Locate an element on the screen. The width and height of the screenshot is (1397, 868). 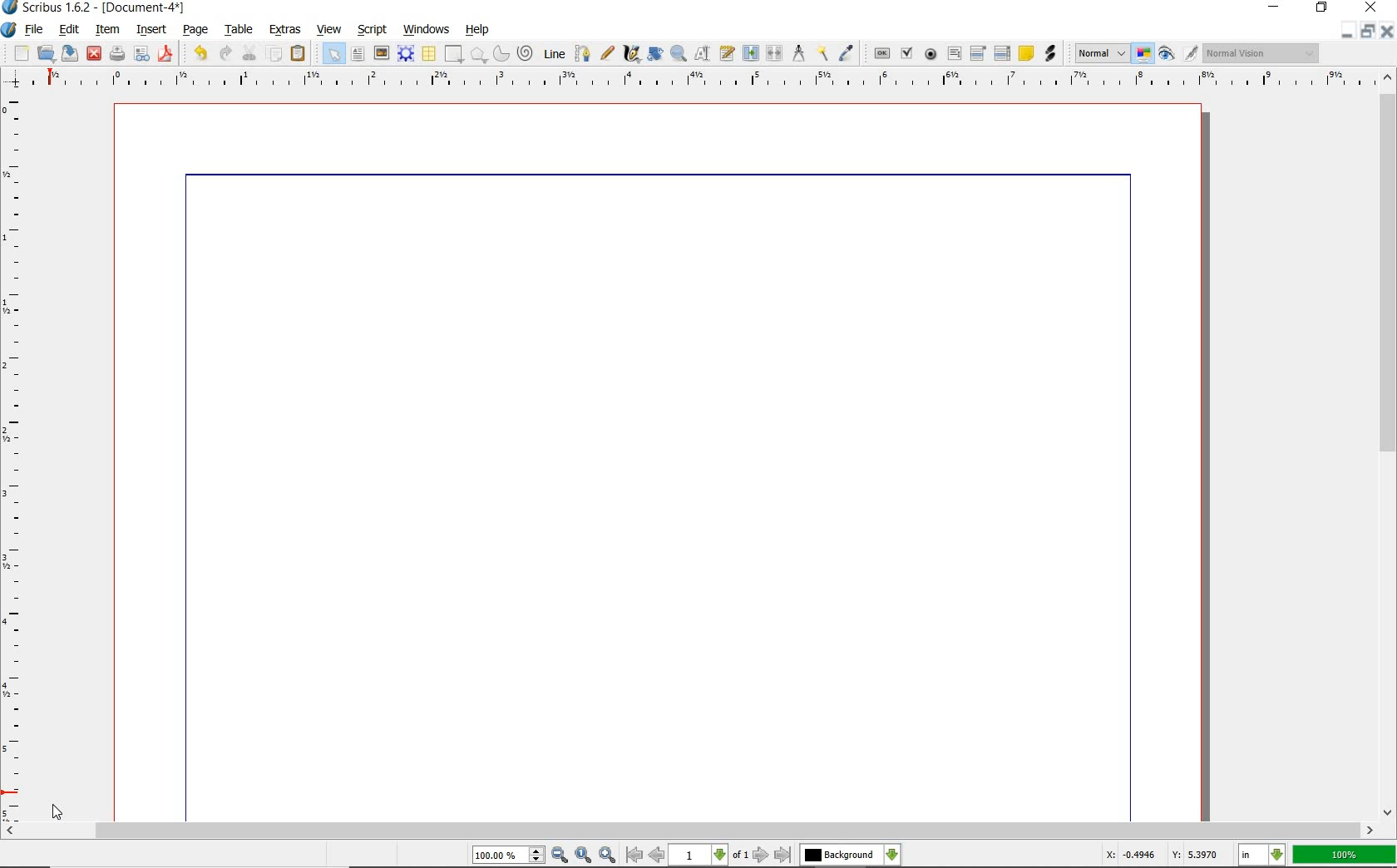
line is located at coordinates (553, 53).